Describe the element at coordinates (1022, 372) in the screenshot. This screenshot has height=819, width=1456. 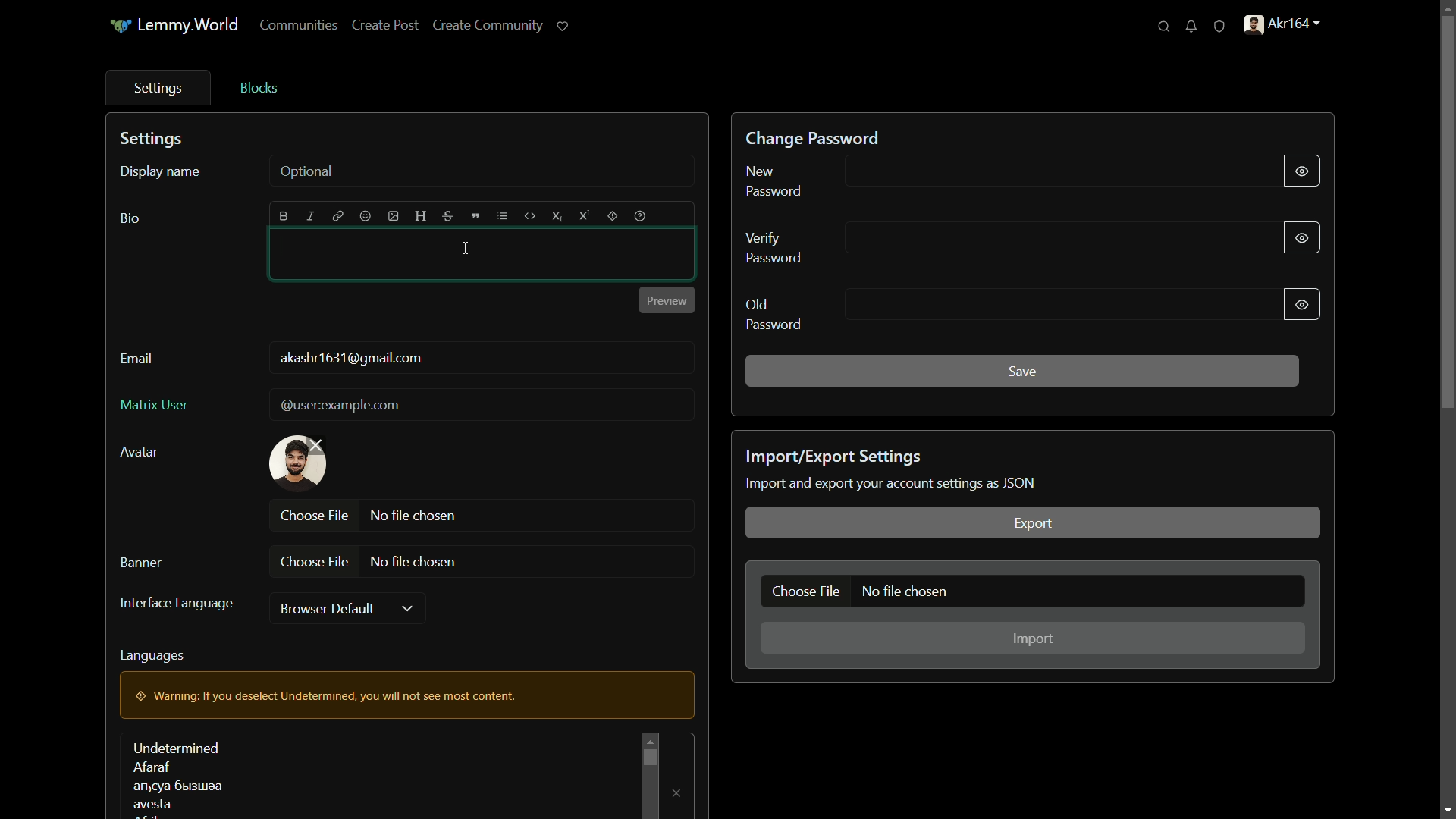
I see `save` at that location.